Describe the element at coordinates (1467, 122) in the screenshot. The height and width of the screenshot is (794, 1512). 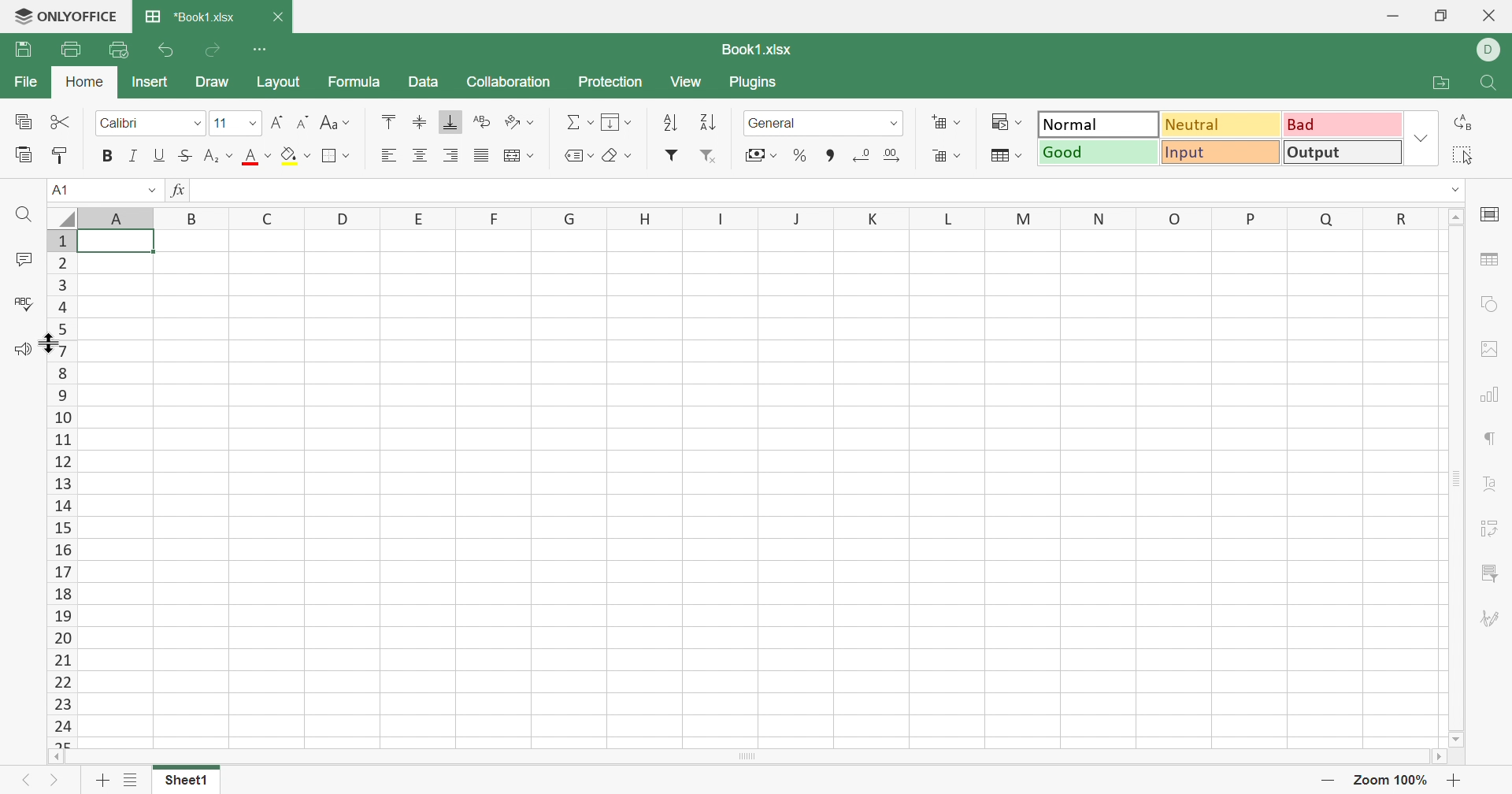
I see `Replace` at that location.